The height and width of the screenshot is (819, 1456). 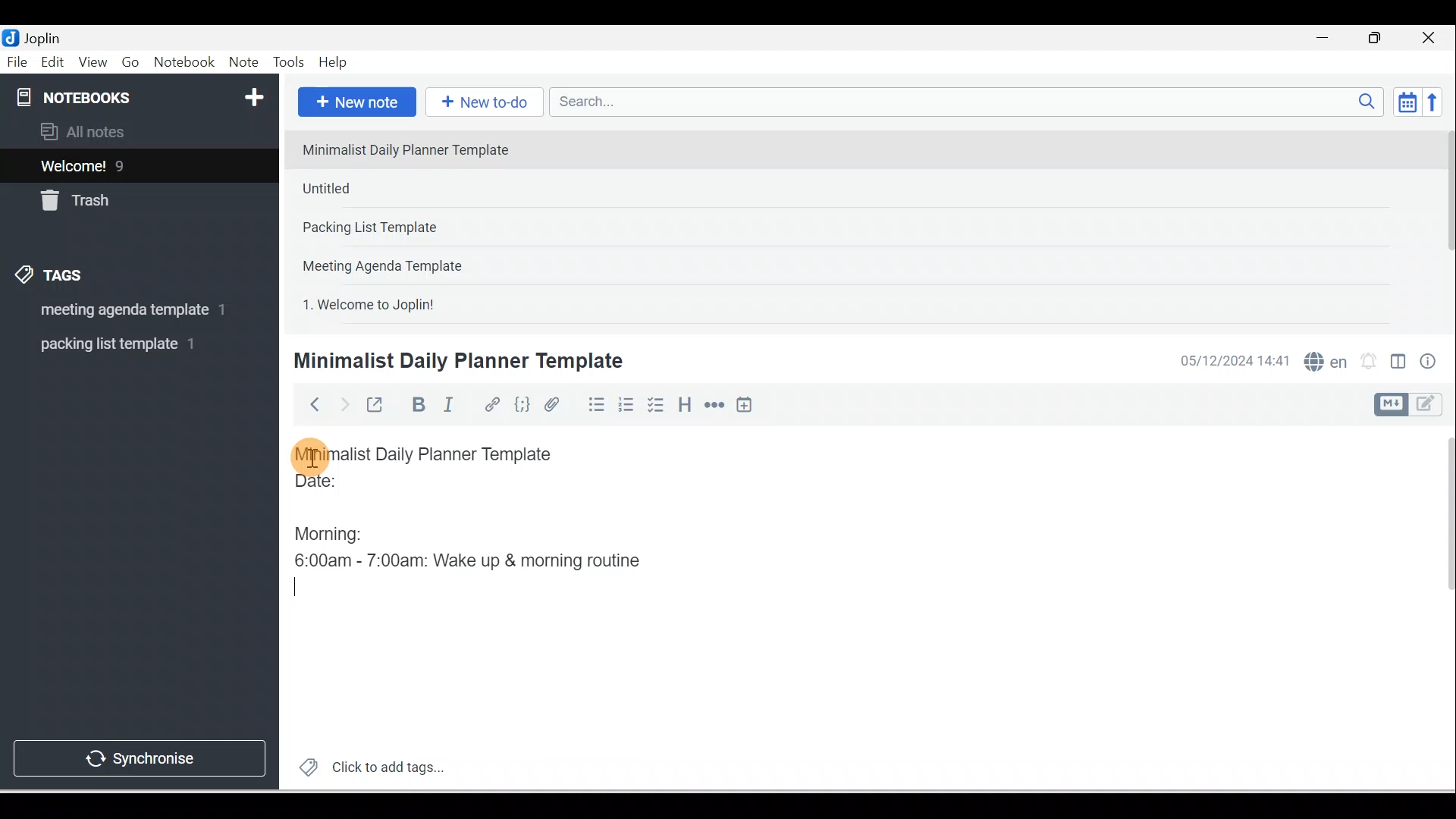 I want to click on Maximise, so click(x=1380, y=39).